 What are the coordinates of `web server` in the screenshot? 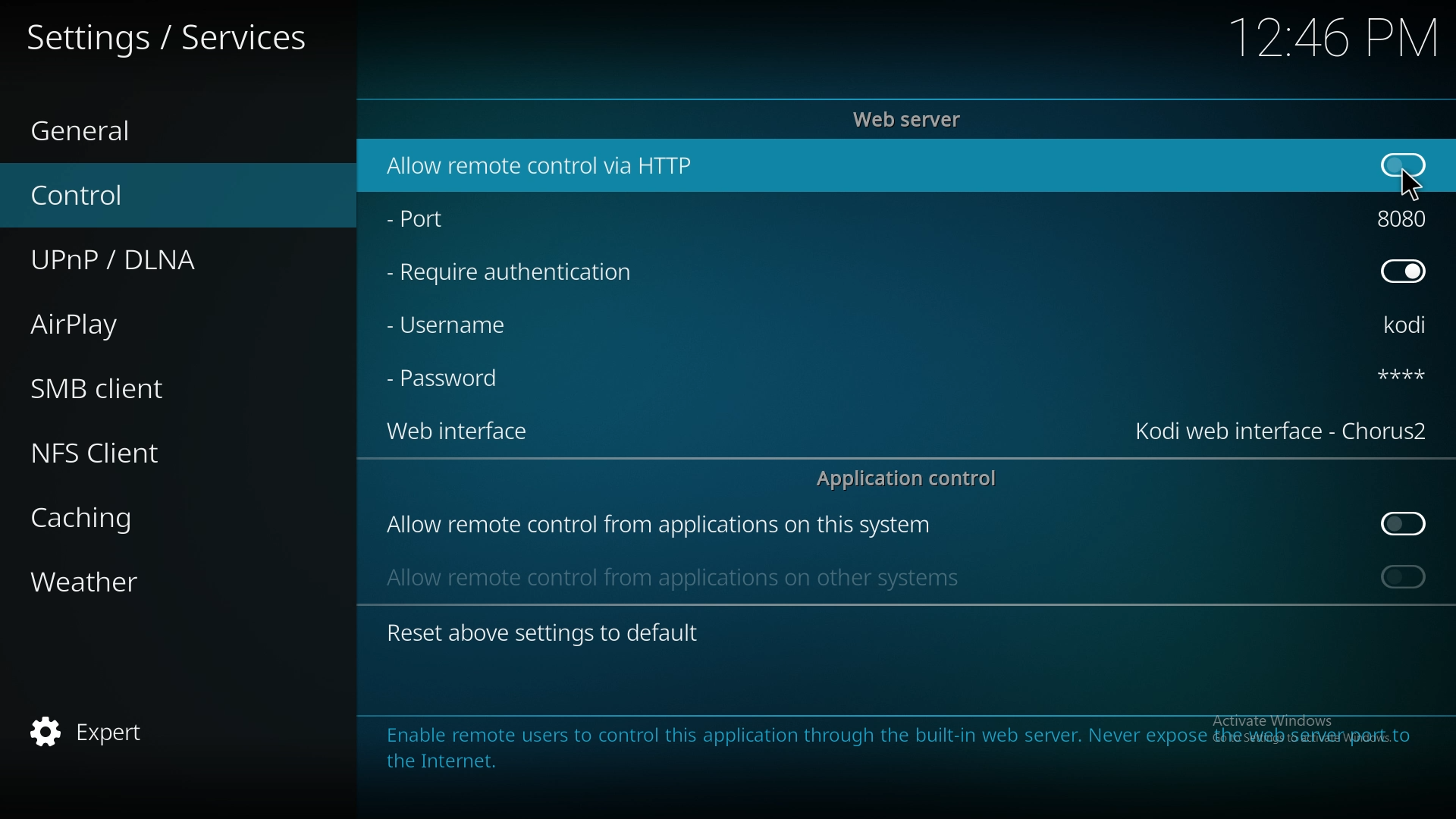 It's located at (912, 119).